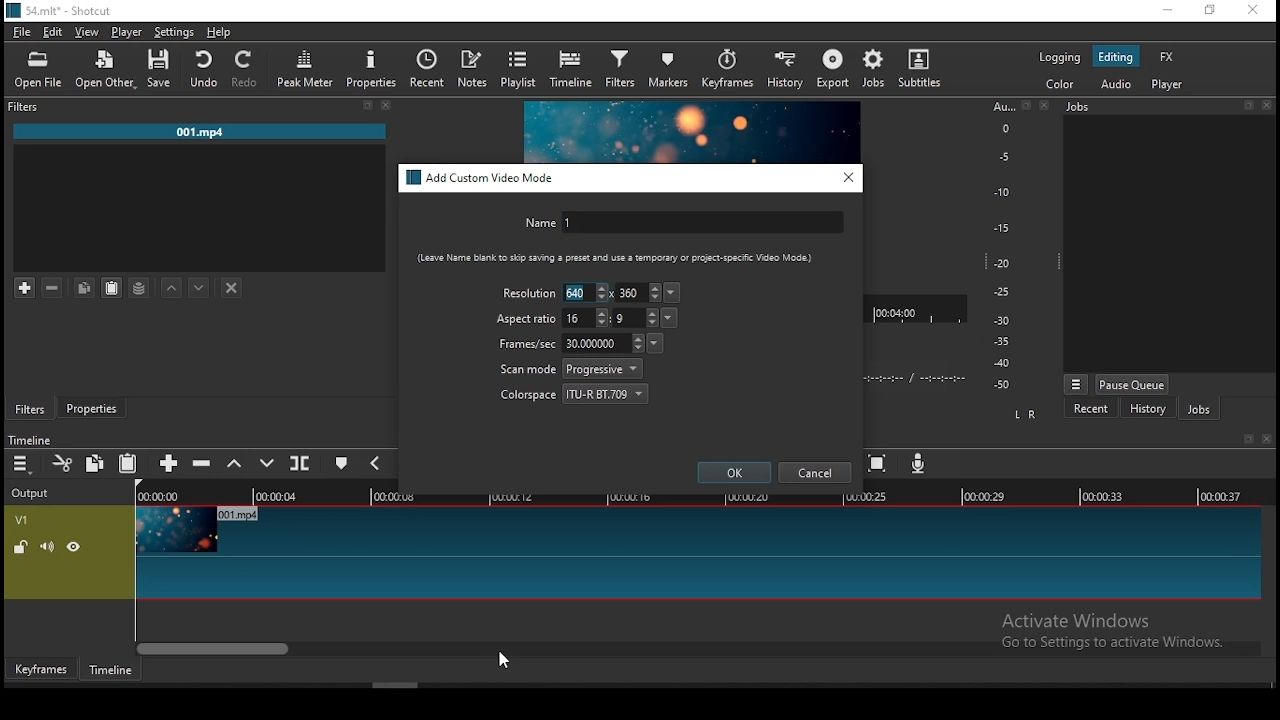 This screenshot has width=1280, height=720. Describe the element at coordinates (1000, 106) in the screenshot. I see `Au...` at that location.